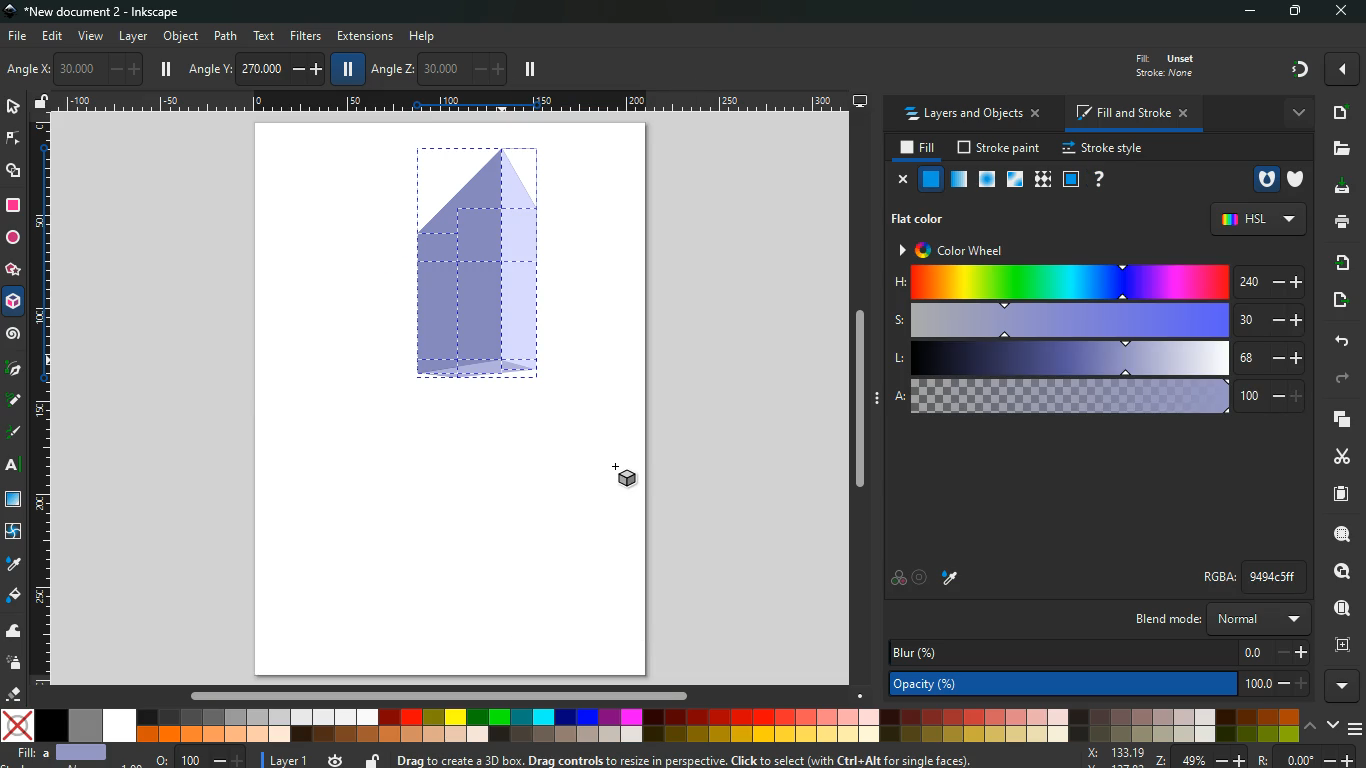  I want to click on eraser, so click(16, 696).